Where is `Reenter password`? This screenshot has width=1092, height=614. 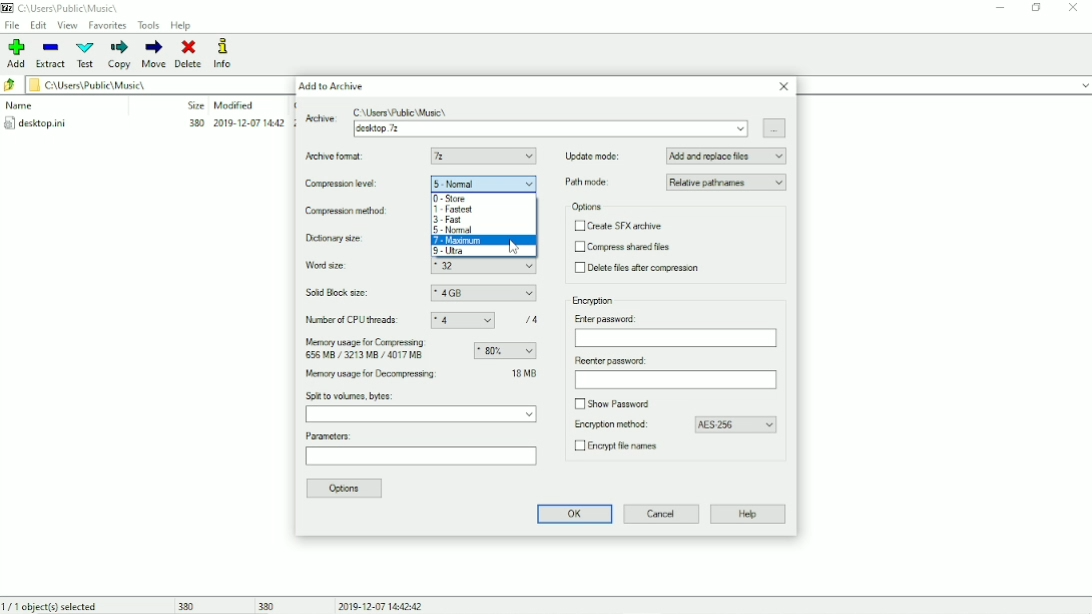 Reenter password is located at coordinates (674, 380).